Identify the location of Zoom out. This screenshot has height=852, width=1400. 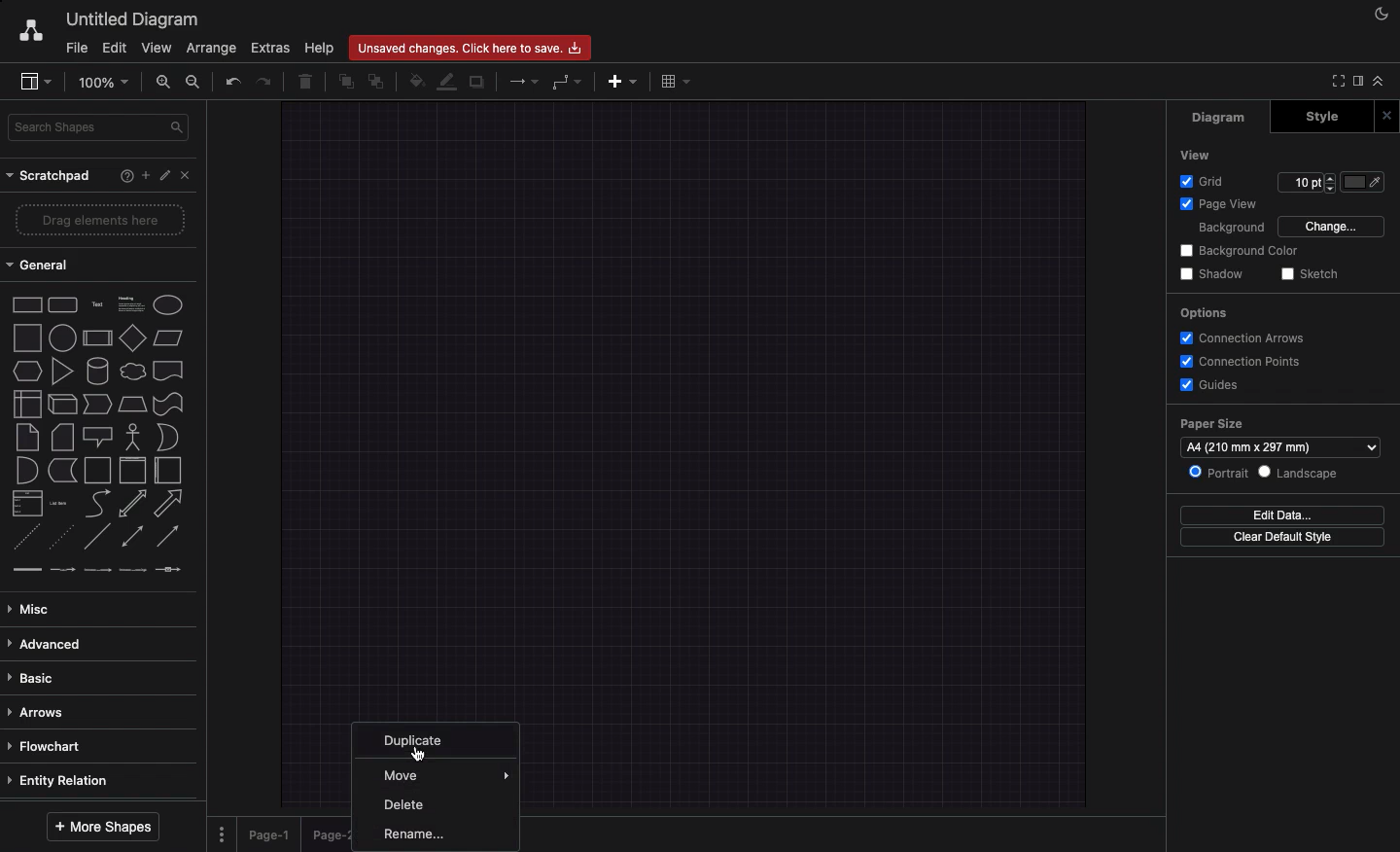
(193, 84).